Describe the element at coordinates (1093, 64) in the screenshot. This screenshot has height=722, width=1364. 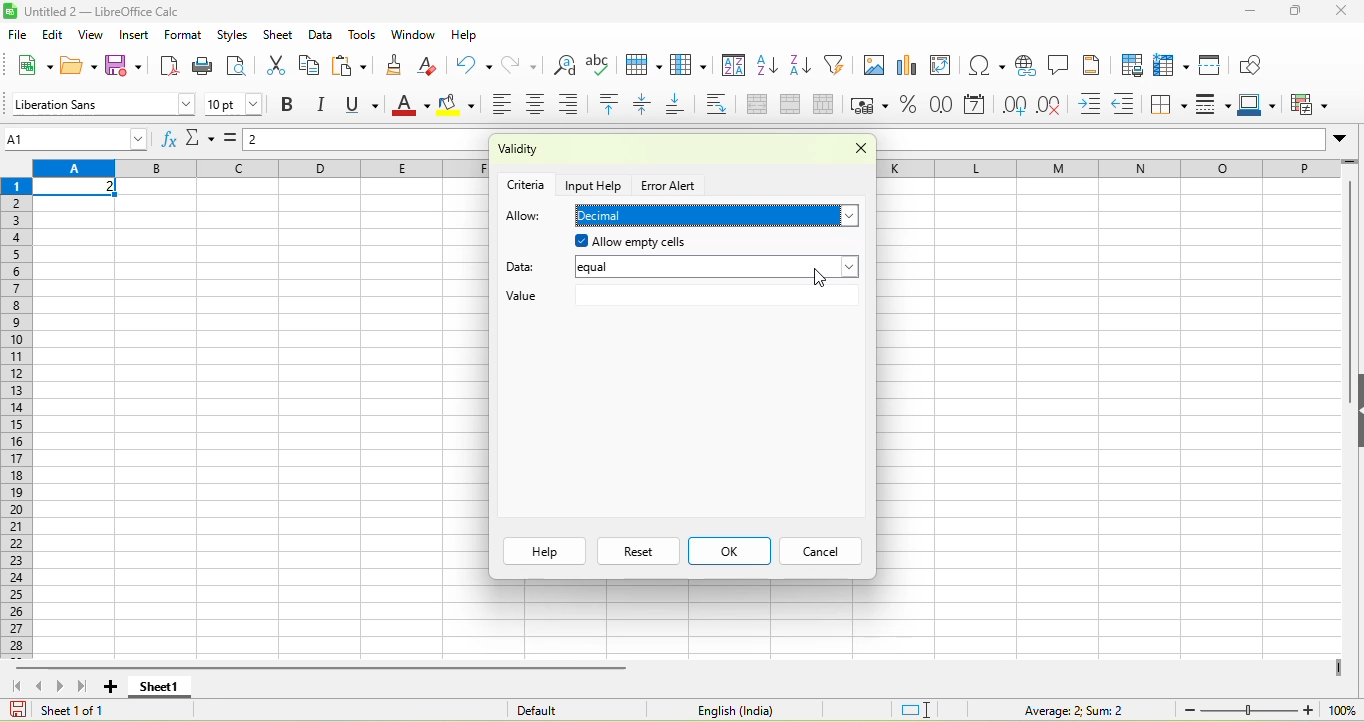
I see `headers and footers` at that location.